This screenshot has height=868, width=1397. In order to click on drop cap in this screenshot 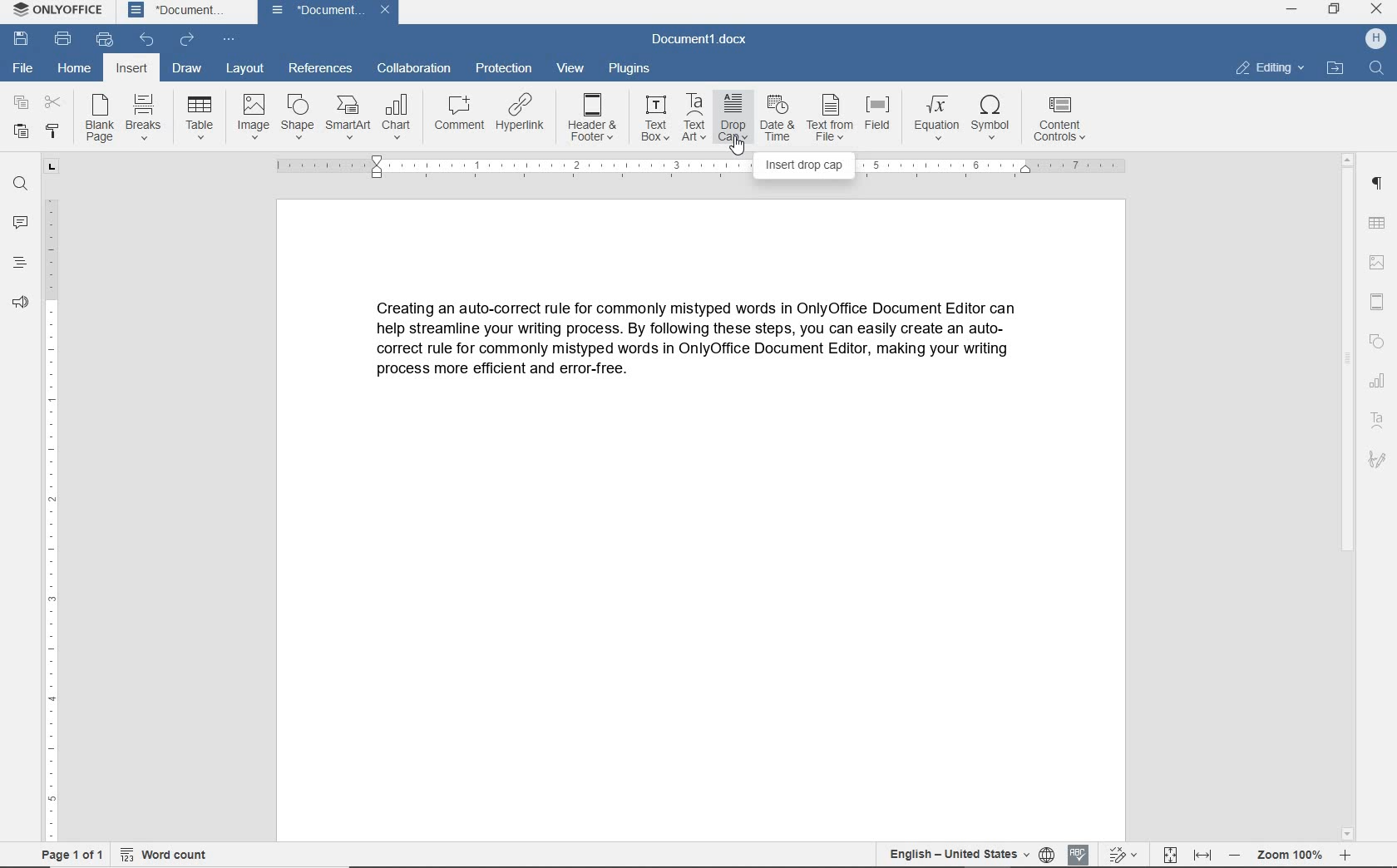, I will do `click(730, 118)`.